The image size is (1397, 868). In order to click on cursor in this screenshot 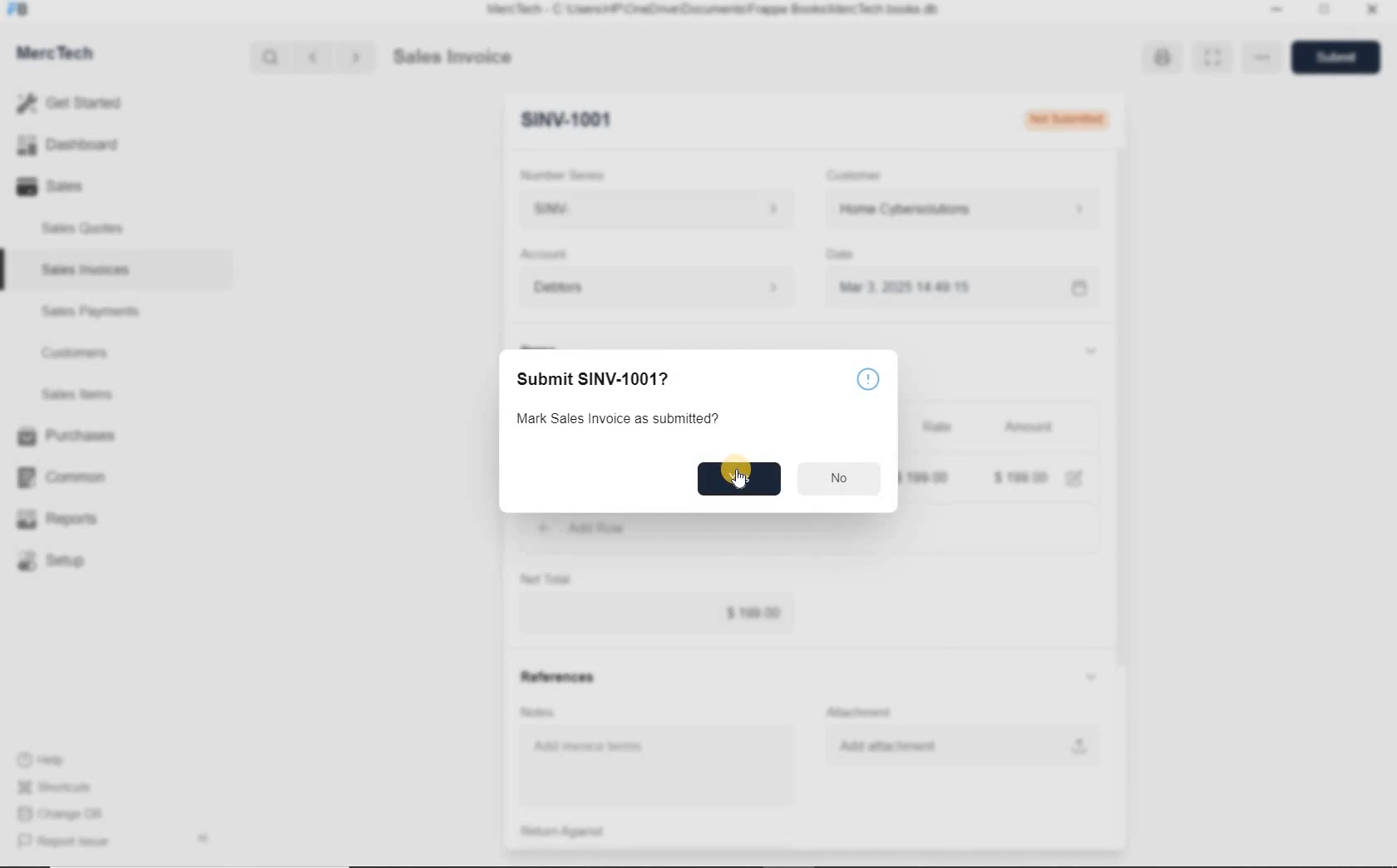, I will do `click(743, 481)`.